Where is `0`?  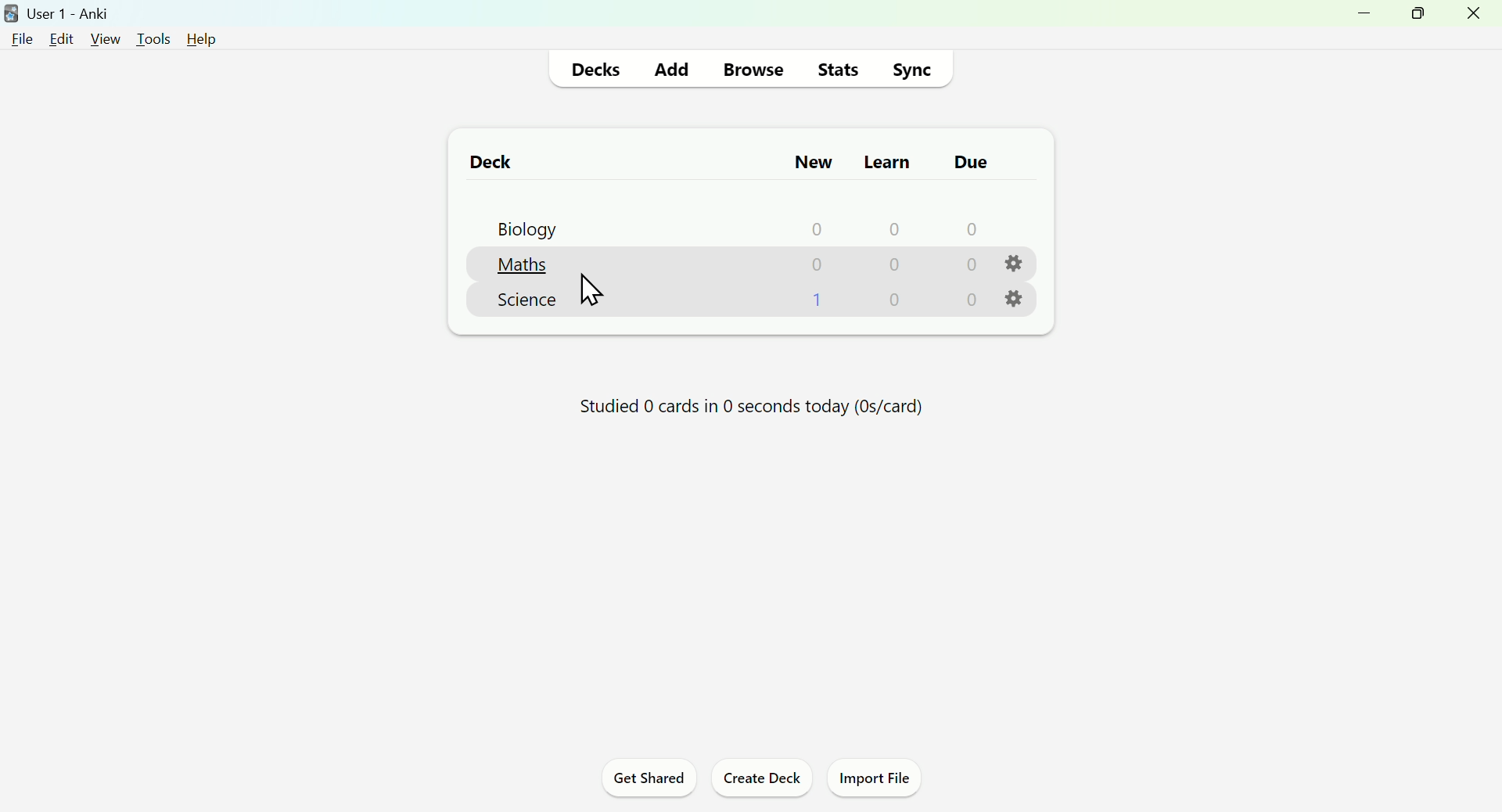
0 is located at coordinates (968, 265).